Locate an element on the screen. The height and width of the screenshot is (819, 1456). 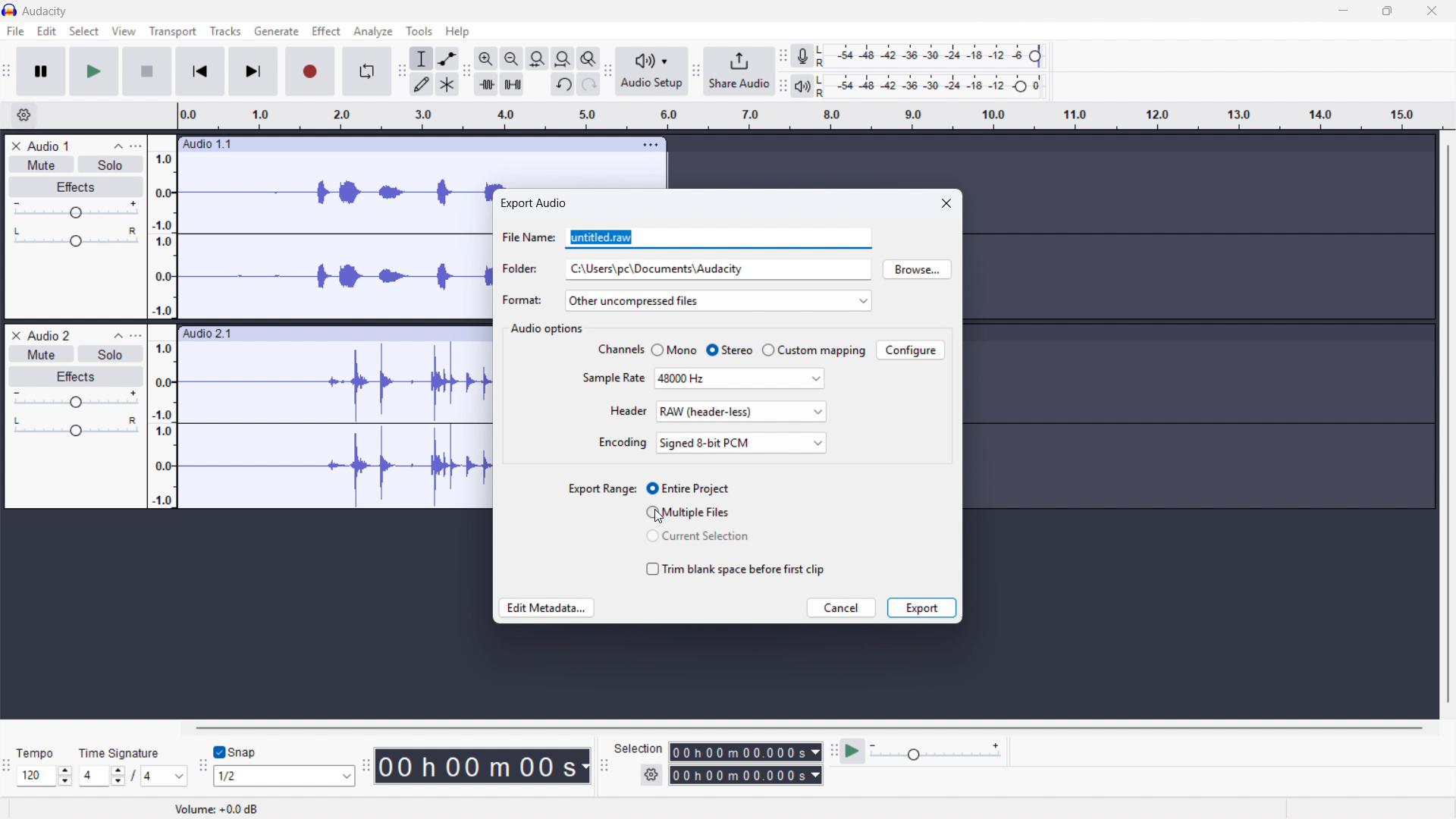
Effects  is located at coordinates (76, 377).